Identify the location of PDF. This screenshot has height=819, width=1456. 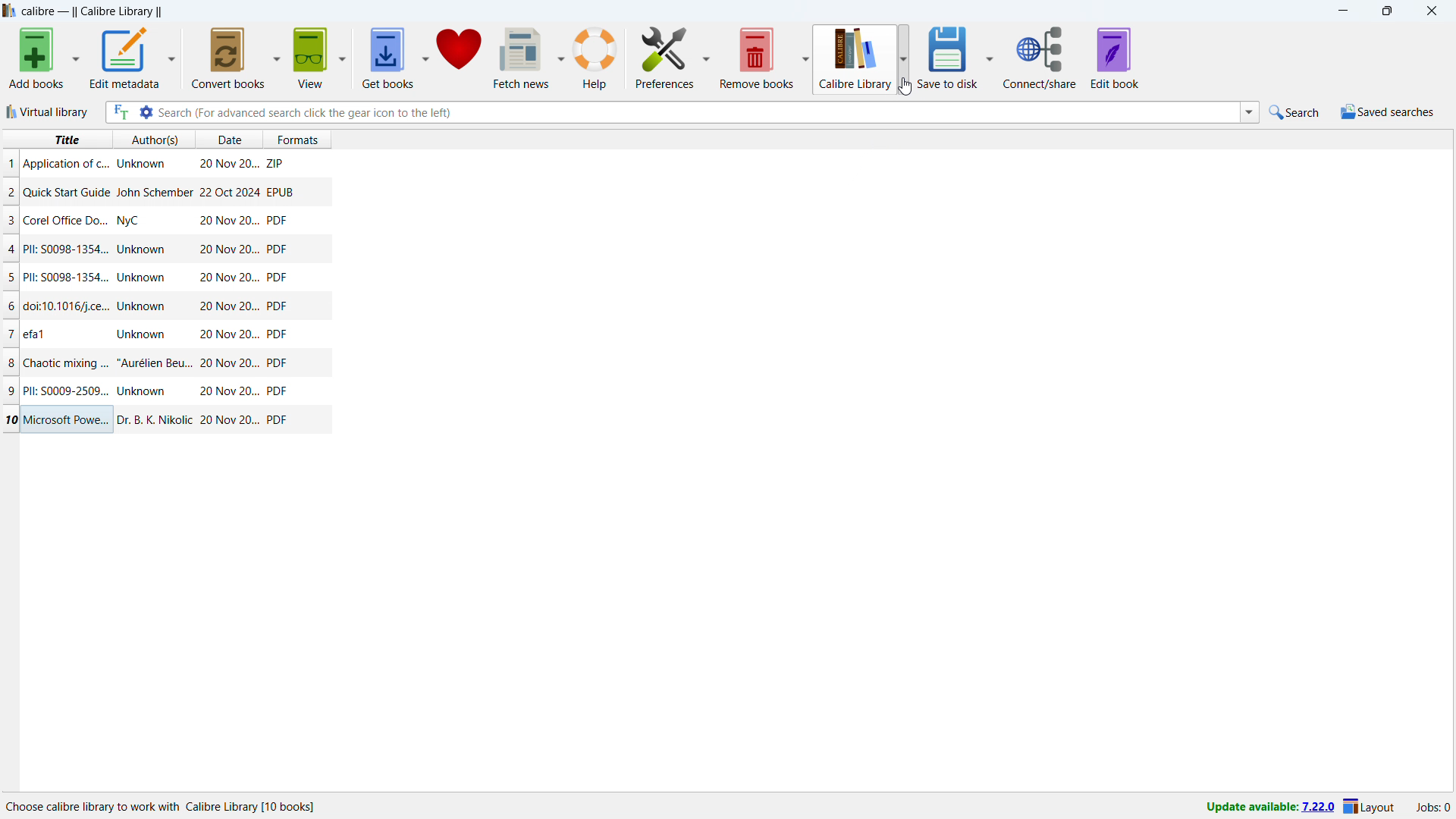
(277, 306).